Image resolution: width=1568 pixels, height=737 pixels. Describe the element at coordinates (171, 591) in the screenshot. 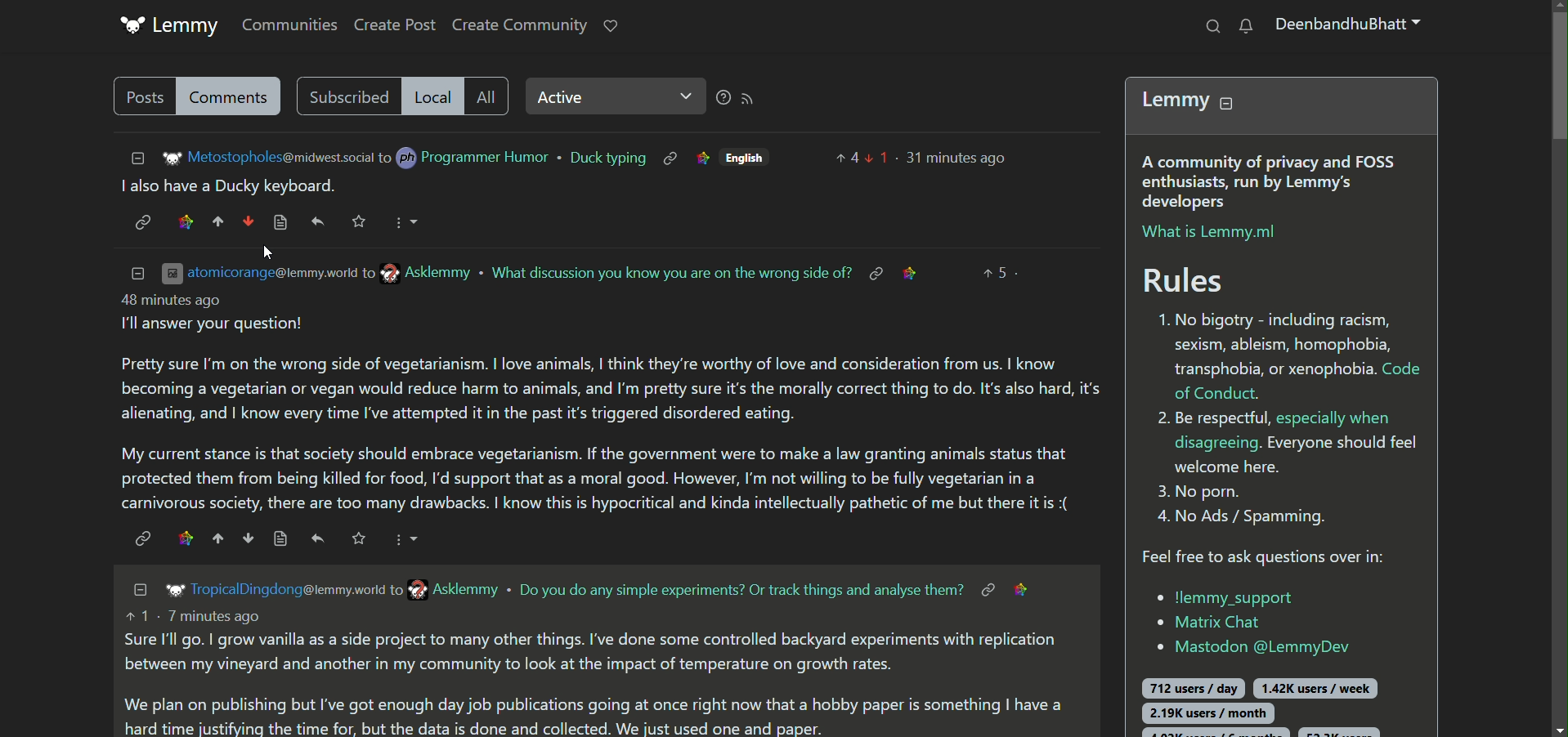

I see `lemmy logo` at that location.